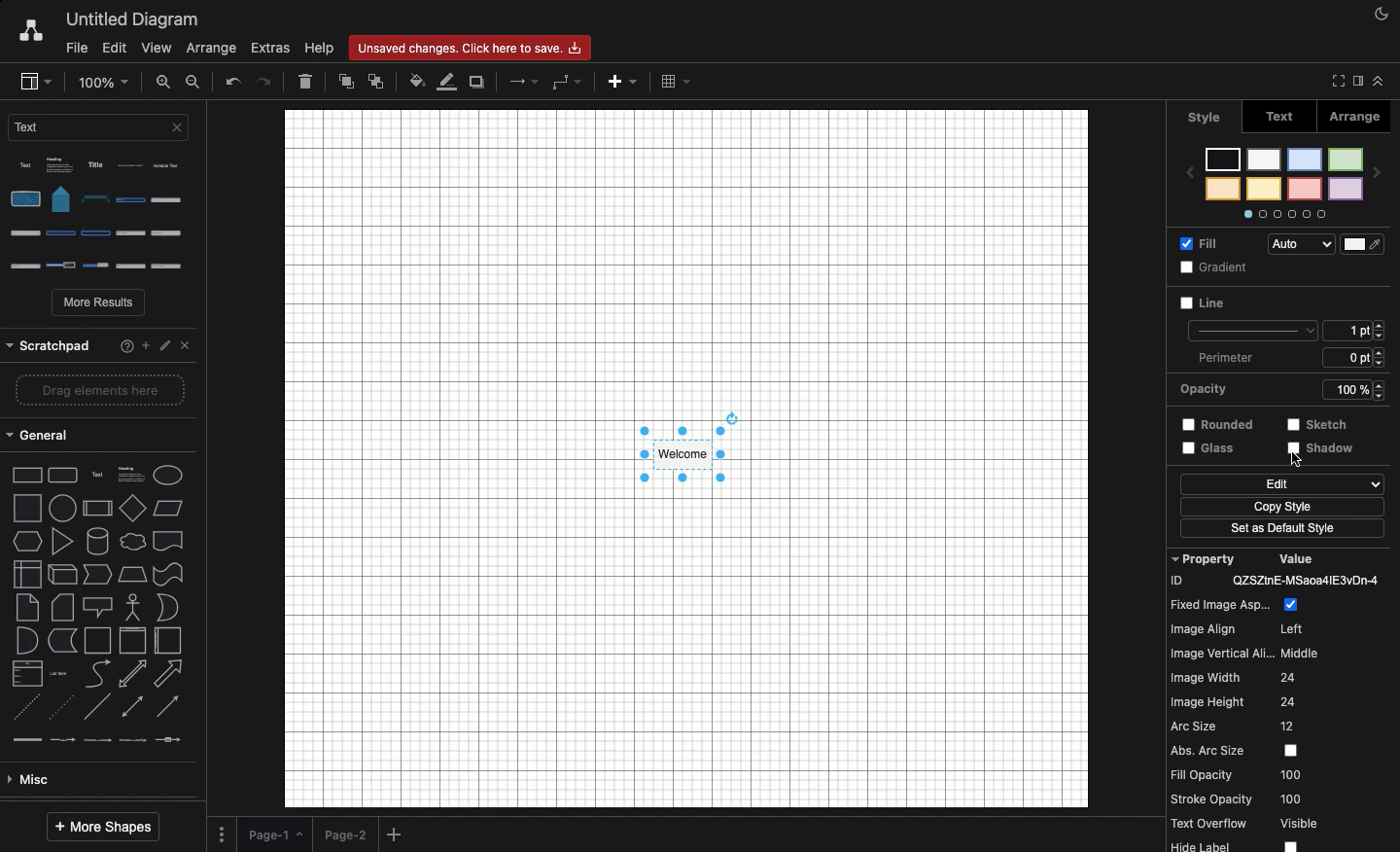 Image resolution: width=1400 pixels, height=852 pixels. Describe the element at coordinates (1280, 119) in the screenshot. I see `Text` at that location.